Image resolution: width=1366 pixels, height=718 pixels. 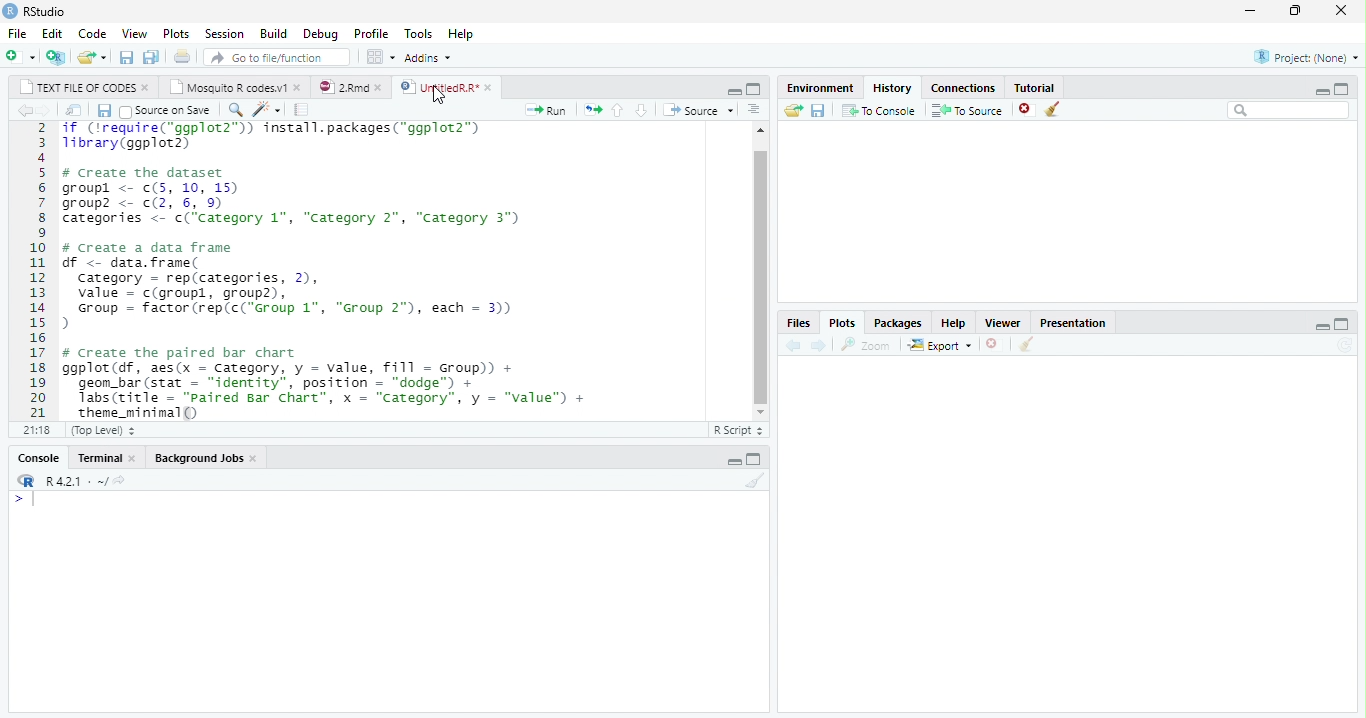 I want to click on find and replace, so click(x=234, y=109).